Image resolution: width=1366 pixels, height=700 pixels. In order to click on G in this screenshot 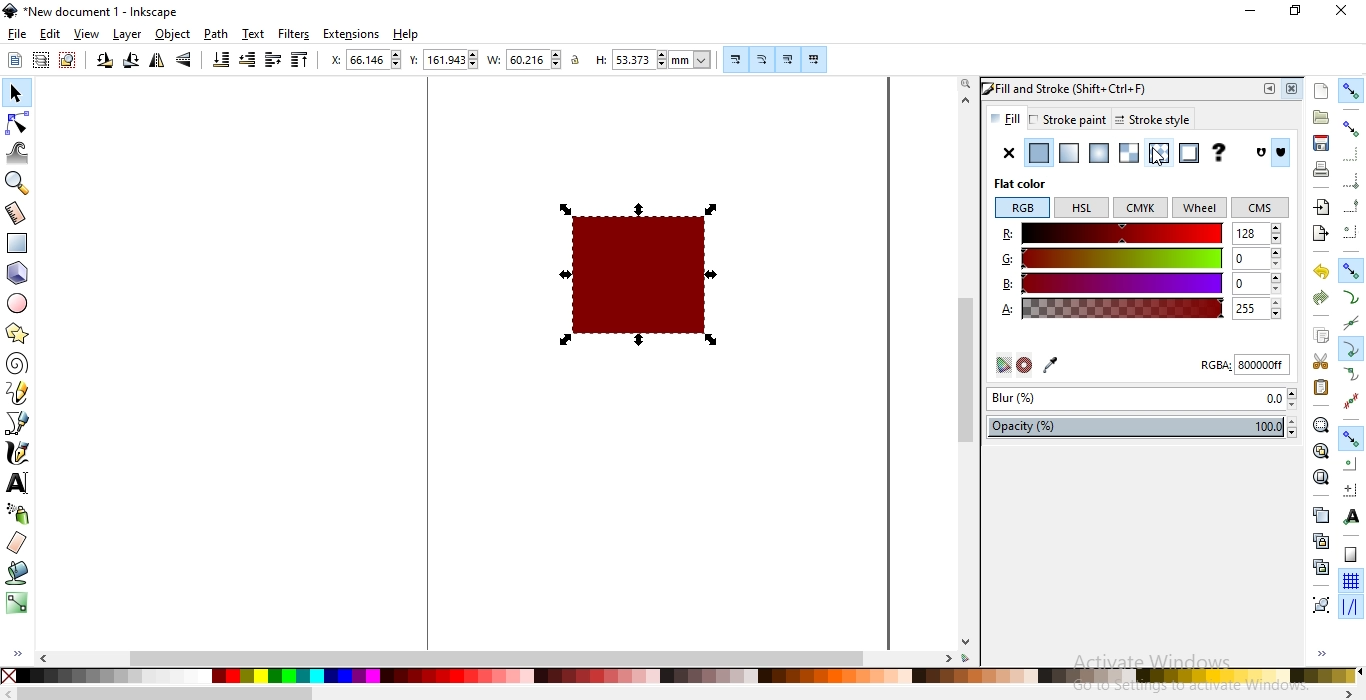, I will do `click(1114, 257)`.